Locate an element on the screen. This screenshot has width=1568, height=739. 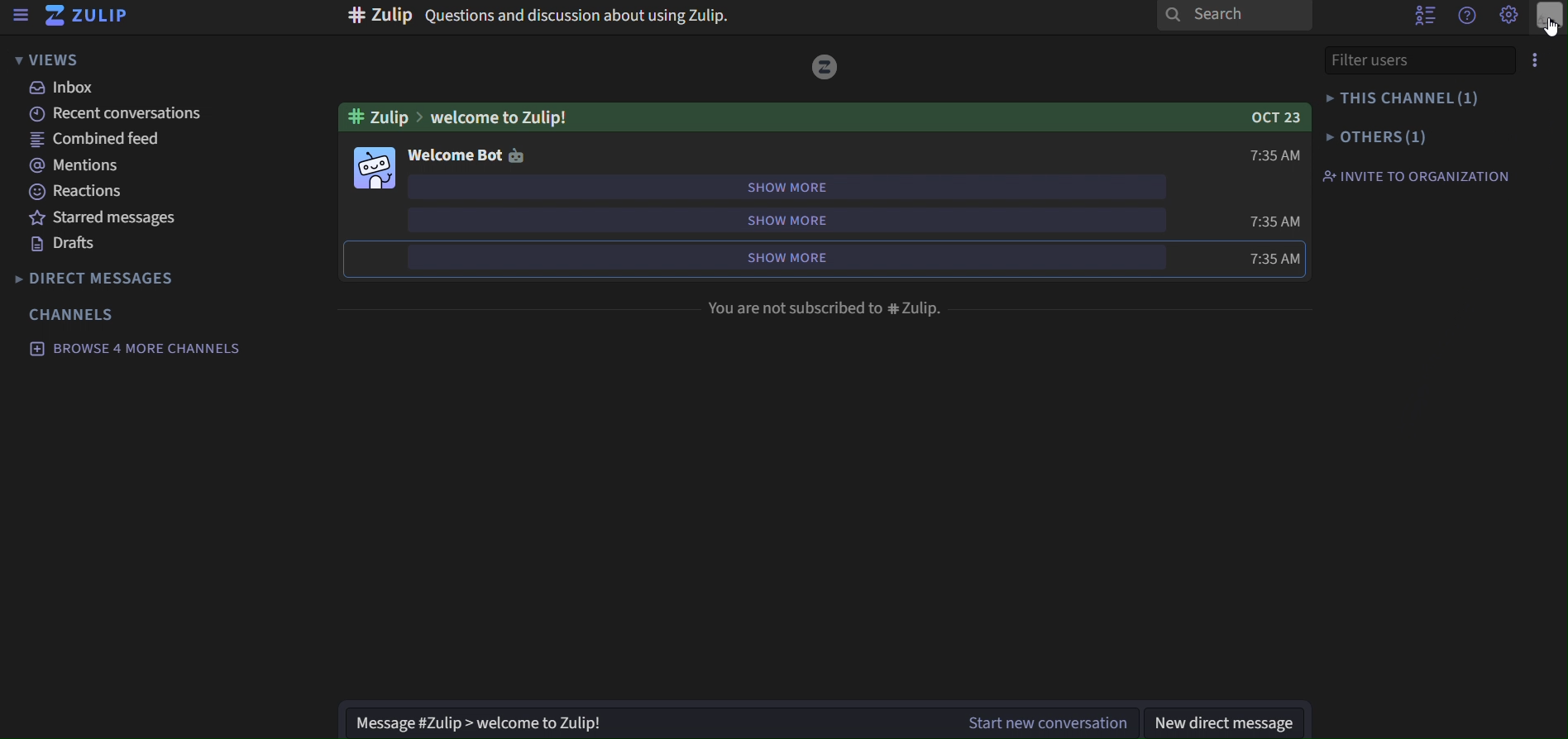
mentions is located at coordinates (127, 163).